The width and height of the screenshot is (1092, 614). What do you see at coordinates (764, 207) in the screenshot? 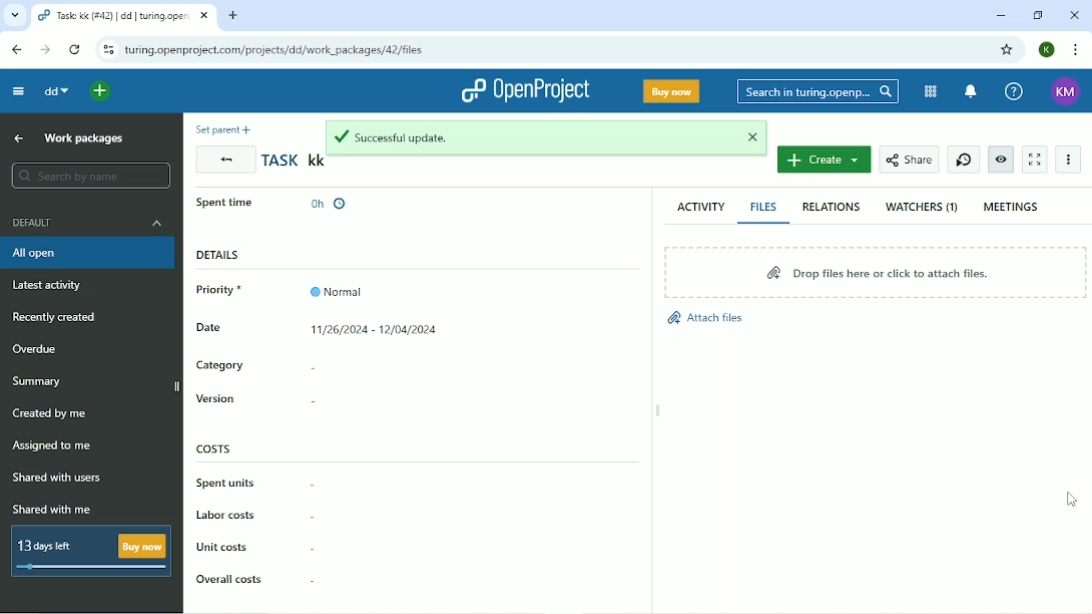
I see `FILES` at bounding box center [764, 207].